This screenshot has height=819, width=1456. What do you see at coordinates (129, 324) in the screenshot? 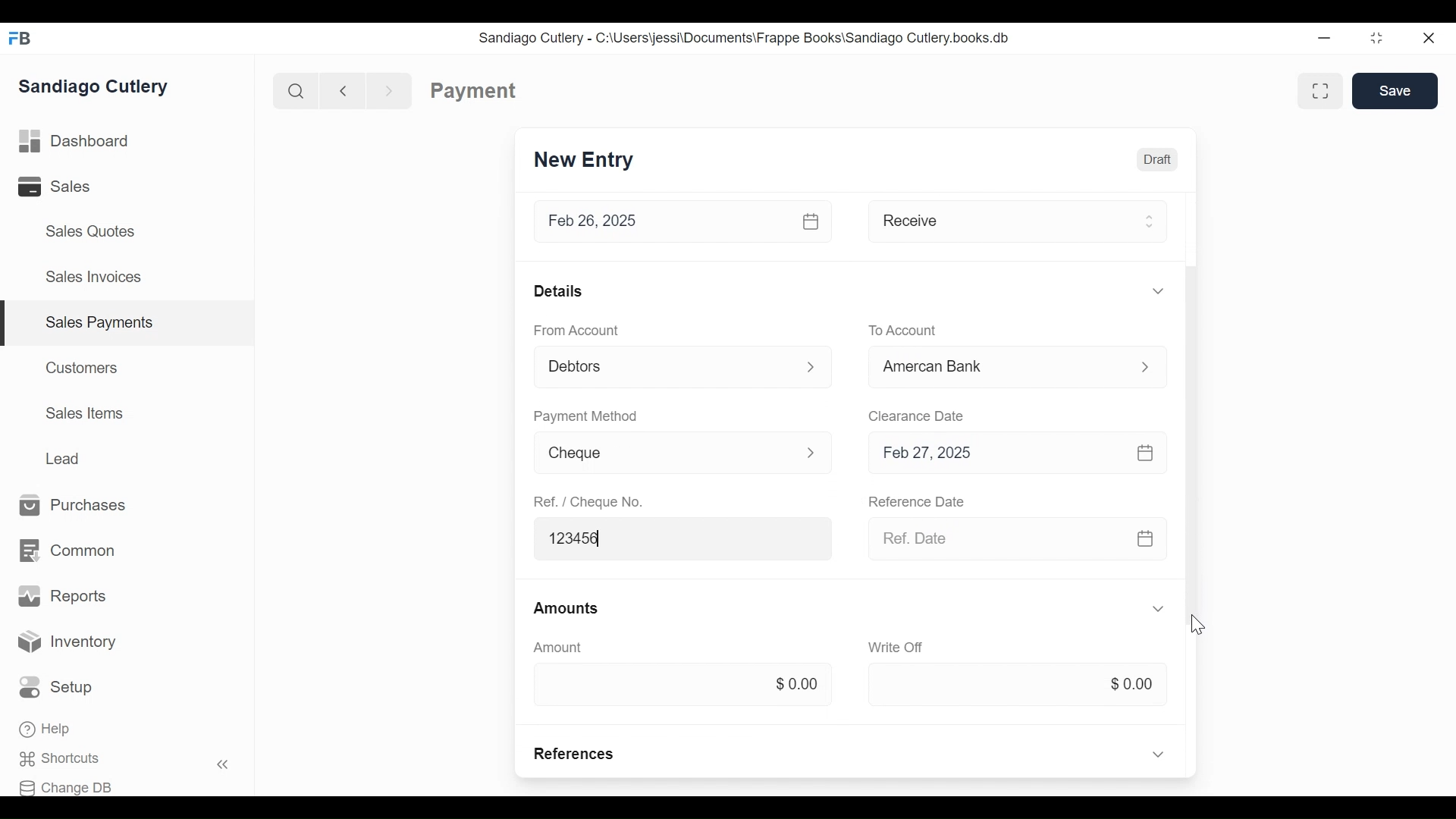
I see `| Sales Payments` at bounding box center [129, 324].